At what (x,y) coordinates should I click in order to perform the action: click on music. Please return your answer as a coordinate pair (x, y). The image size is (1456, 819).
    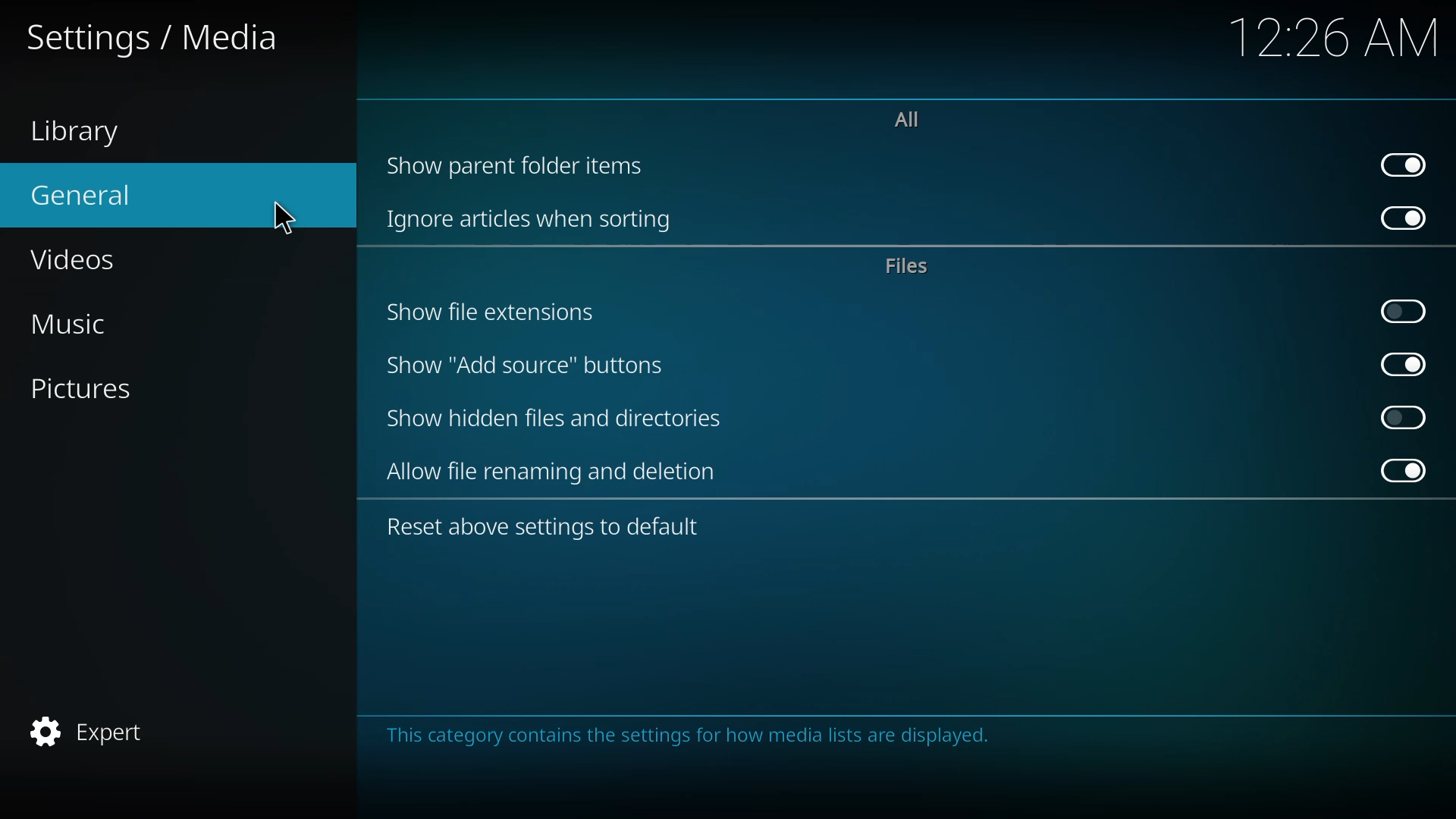
    Looking at the image, I should click on (82, 326).